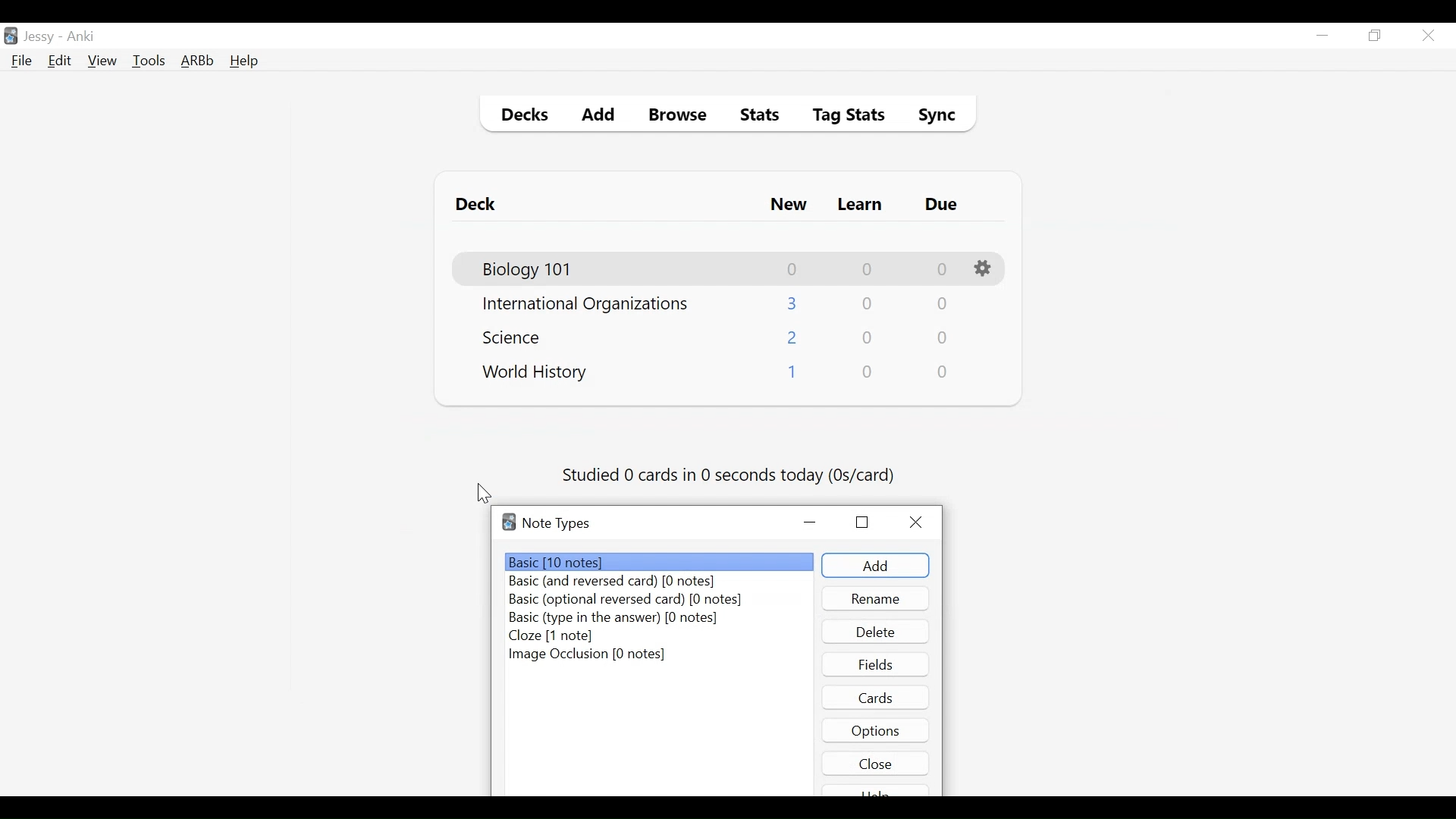 Image resolution: width=1456 pixels, height=819 pixels. What do you see at coordinates (811, 523) in the screenshot?
I see `minimize` at bounding box center [811, 523].